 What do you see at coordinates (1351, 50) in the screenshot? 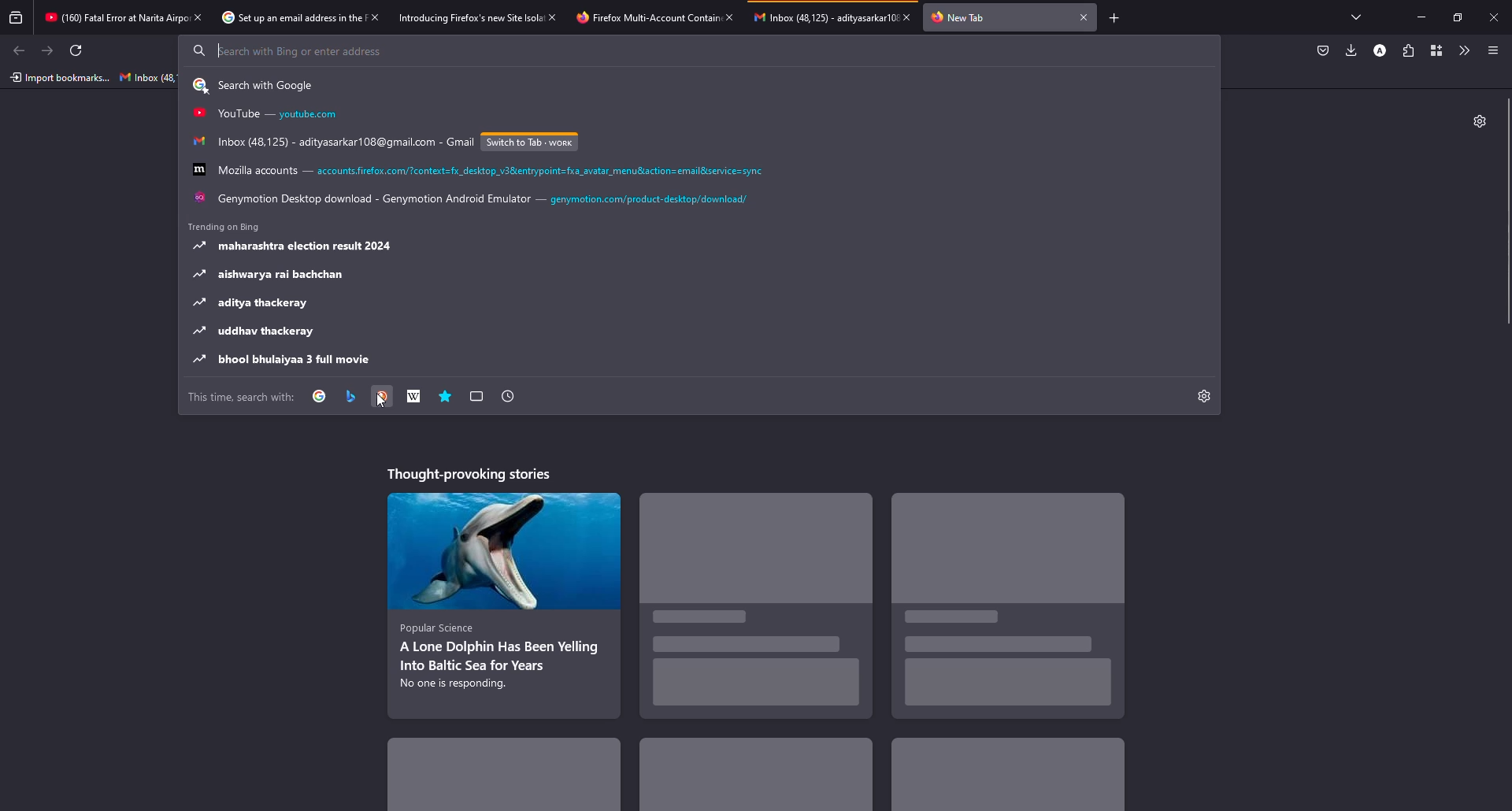
I see `downloads` at bounding box center [1351, 50].